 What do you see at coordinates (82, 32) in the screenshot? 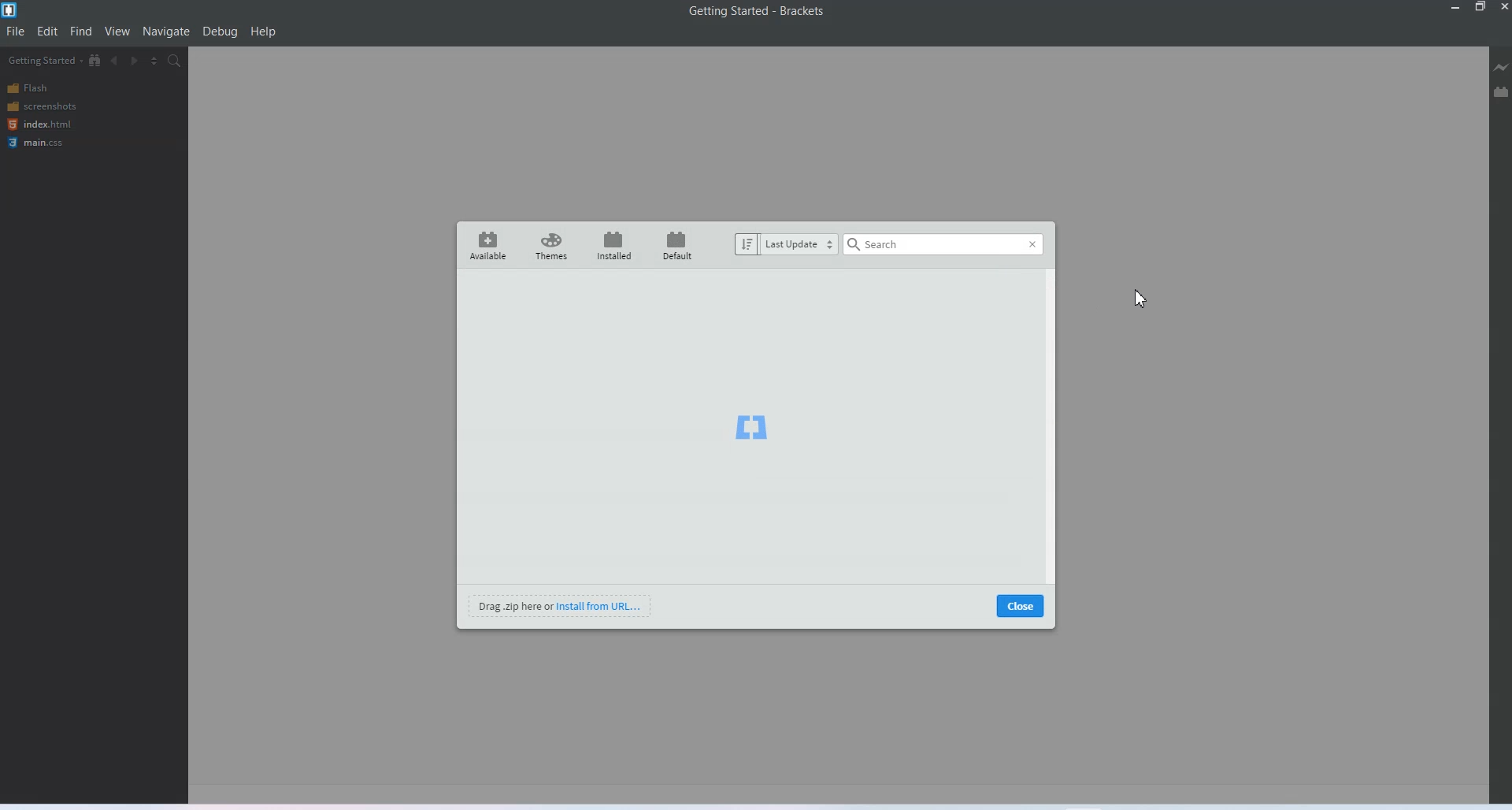
I see `Find` at bounding box center [82, 32].